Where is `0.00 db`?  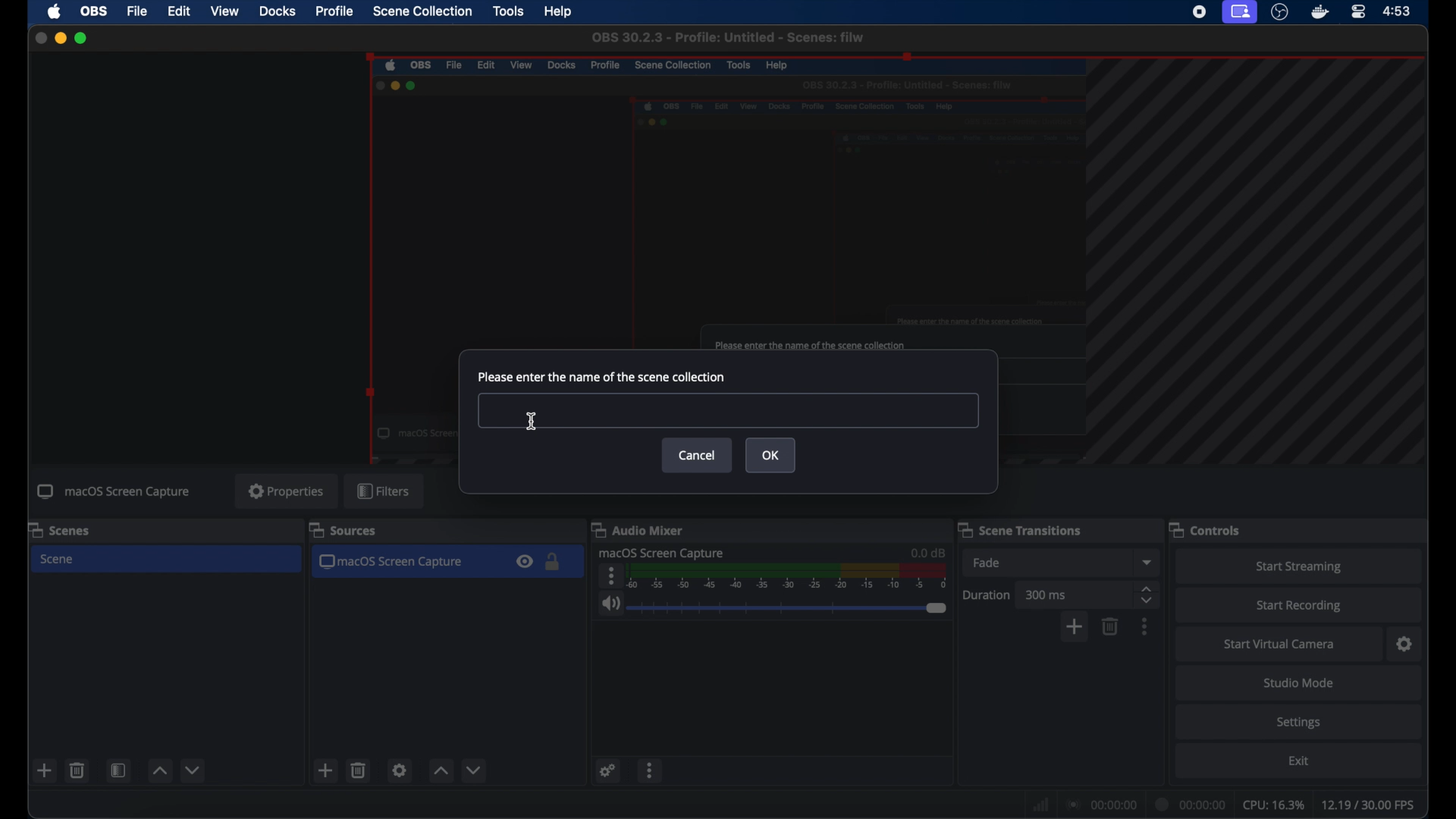
0.00 db is located at coordinates (927, 550).